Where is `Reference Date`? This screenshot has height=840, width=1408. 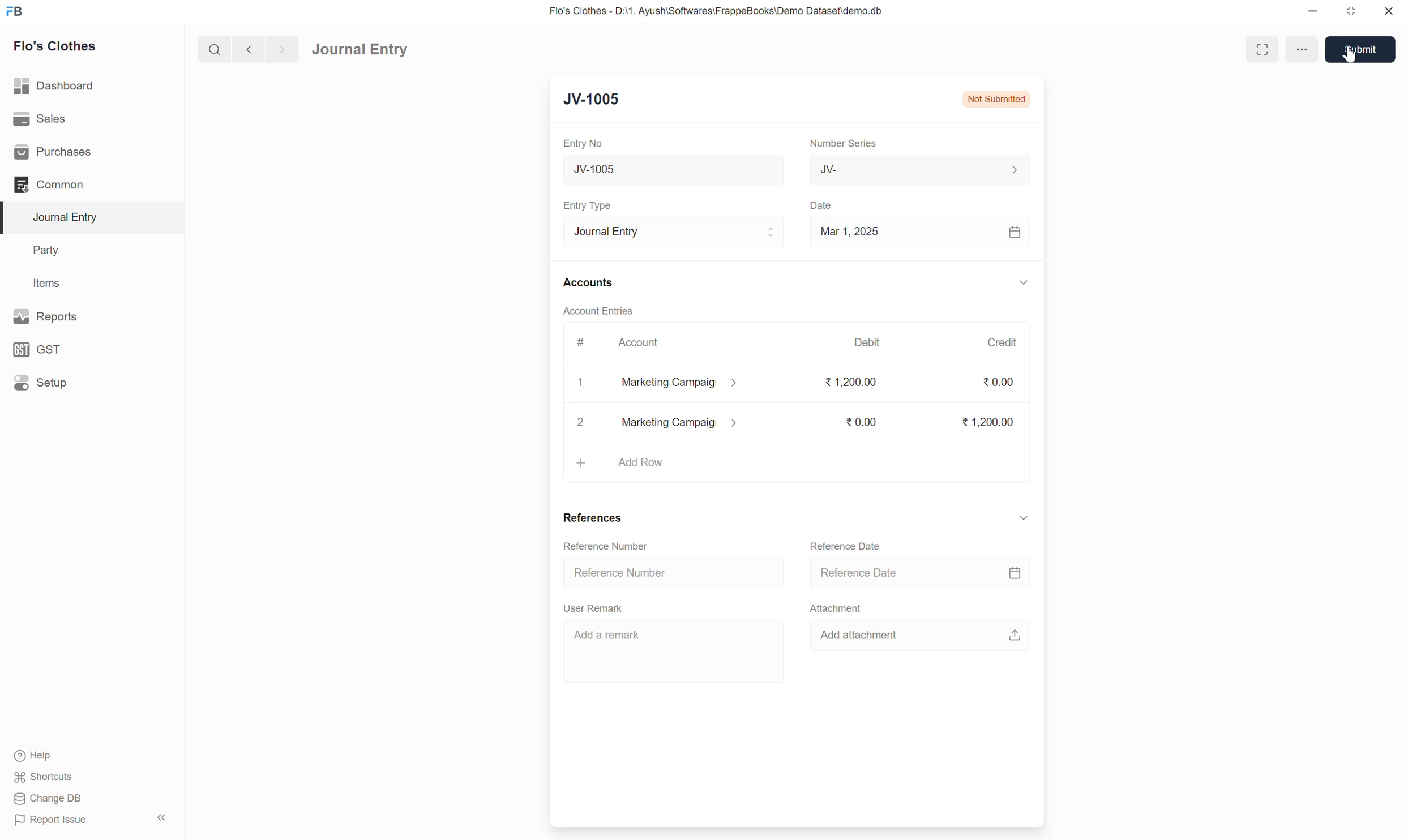 Reference Date is located at coordinates (861, 573).